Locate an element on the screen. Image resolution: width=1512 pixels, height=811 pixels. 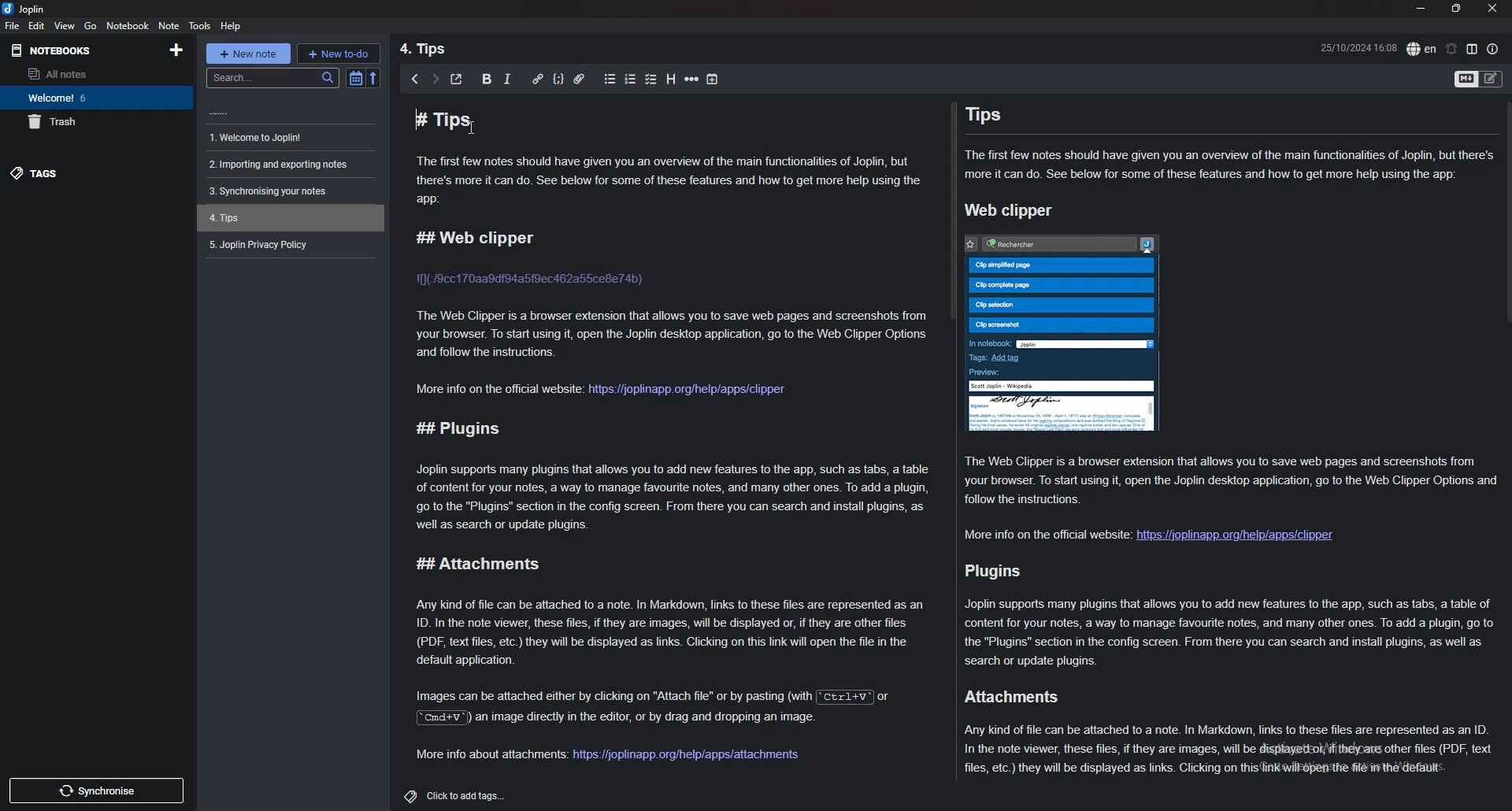
 is located at coordinates (94, 791).